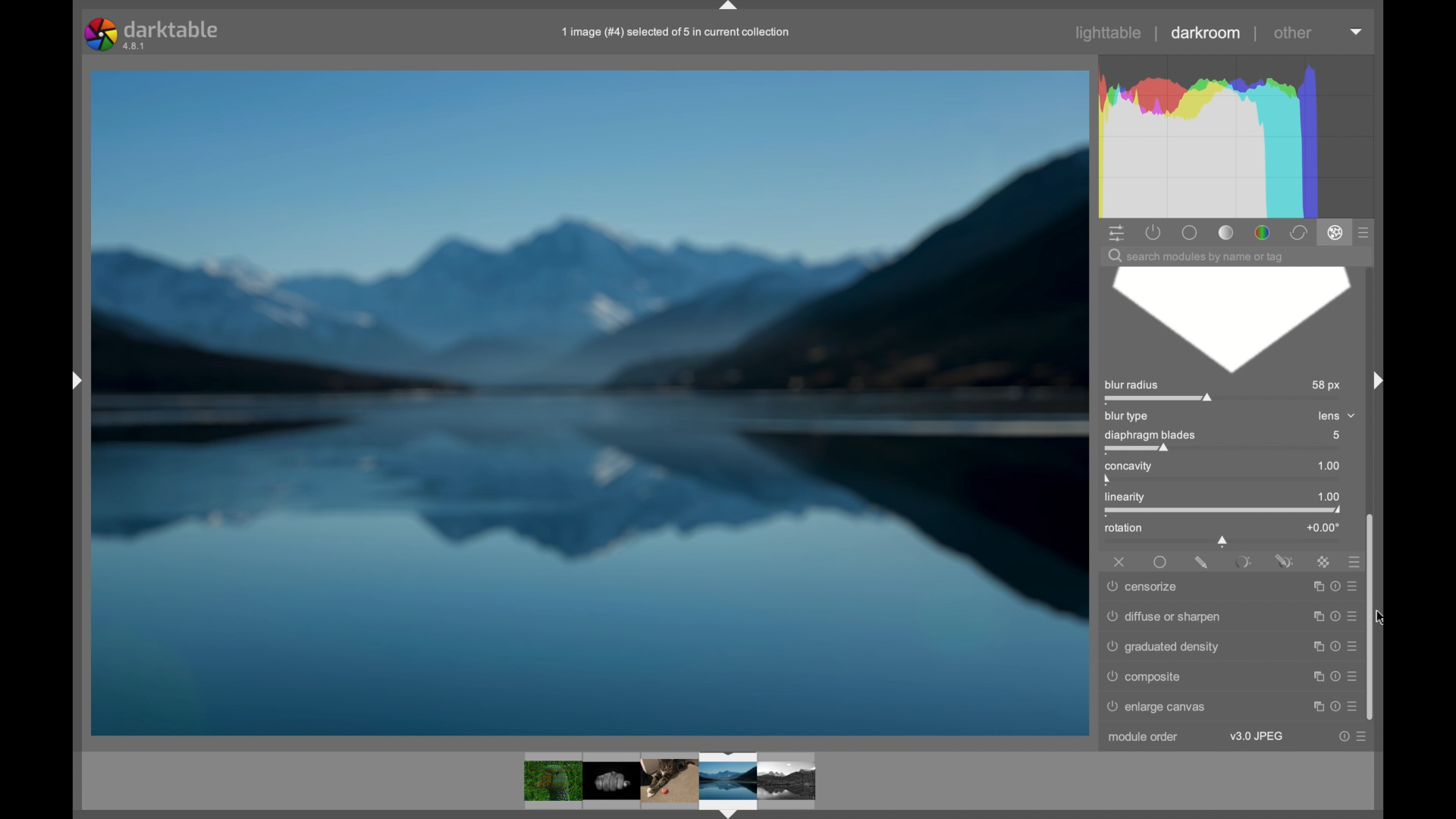  I want to click on 5, so click(1341, 435).